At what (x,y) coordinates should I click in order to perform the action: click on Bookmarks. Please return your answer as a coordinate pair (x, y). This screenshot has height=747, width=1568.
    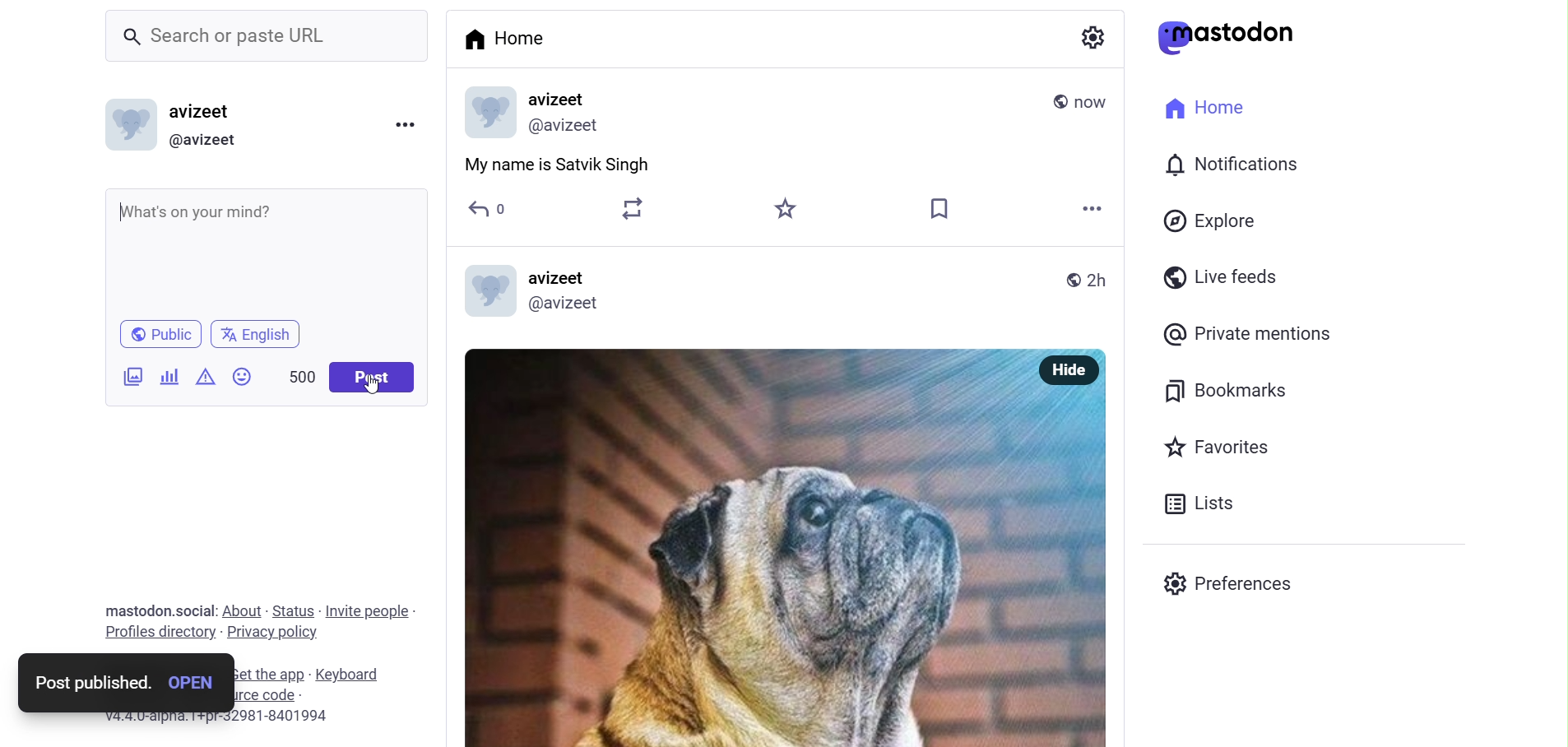
    Looking at the image, I should click on (1238, 392).